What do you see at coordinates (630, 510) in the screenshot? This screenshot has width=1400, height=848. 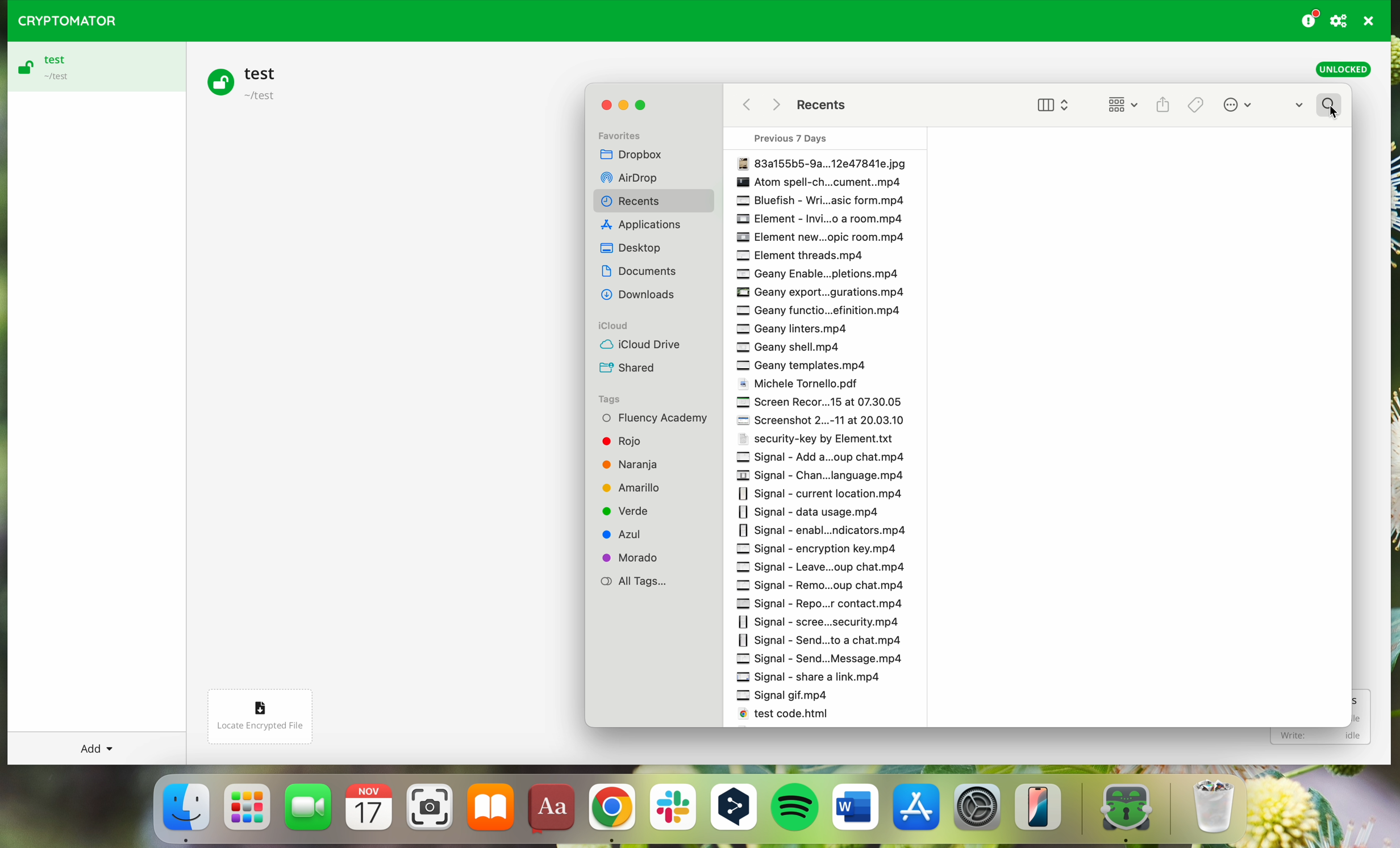 I see `Verde` at bounding box center [630, 510].